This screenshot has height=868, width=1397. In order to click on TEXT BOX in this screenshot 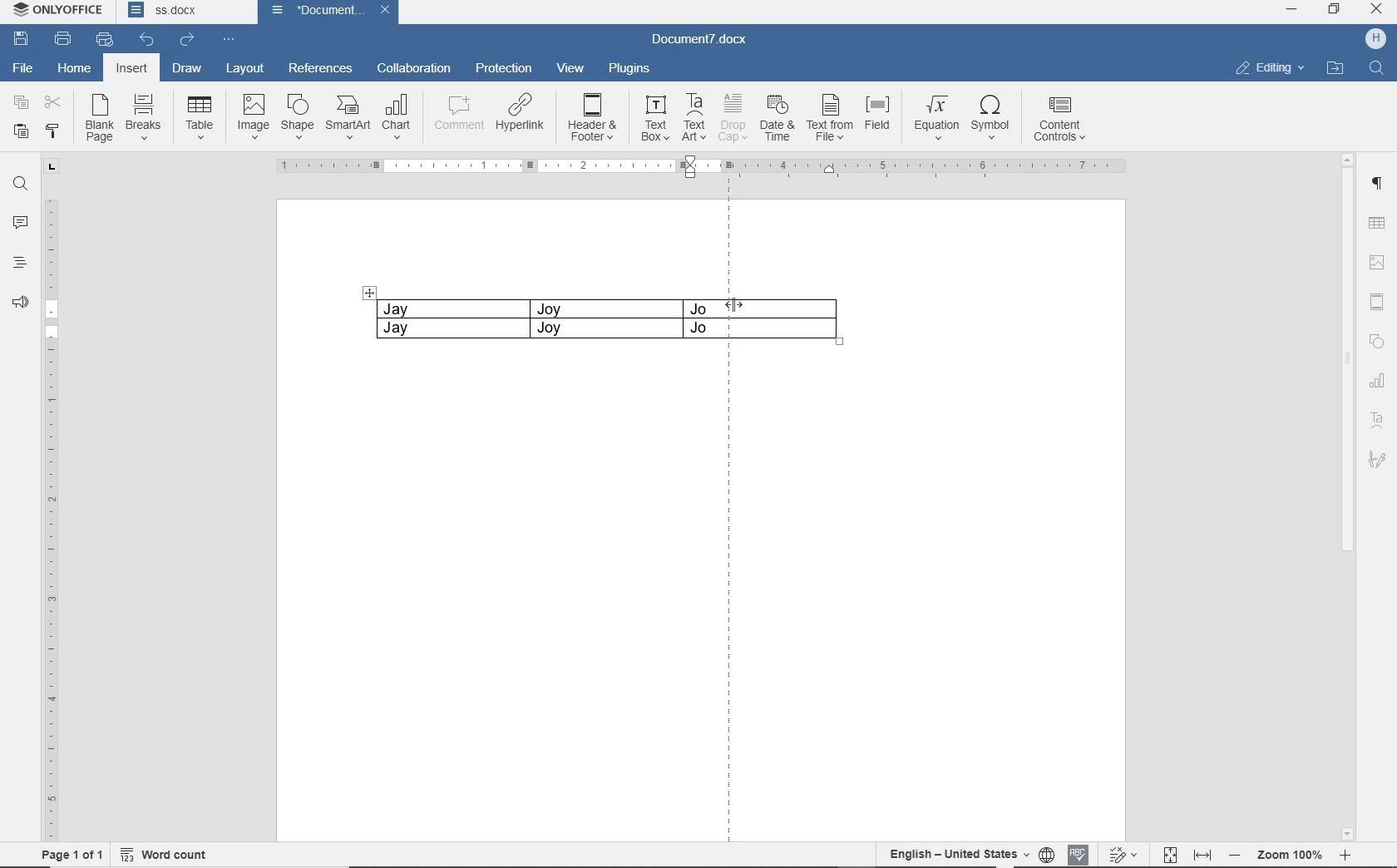, I will do `click(655, 118)`.